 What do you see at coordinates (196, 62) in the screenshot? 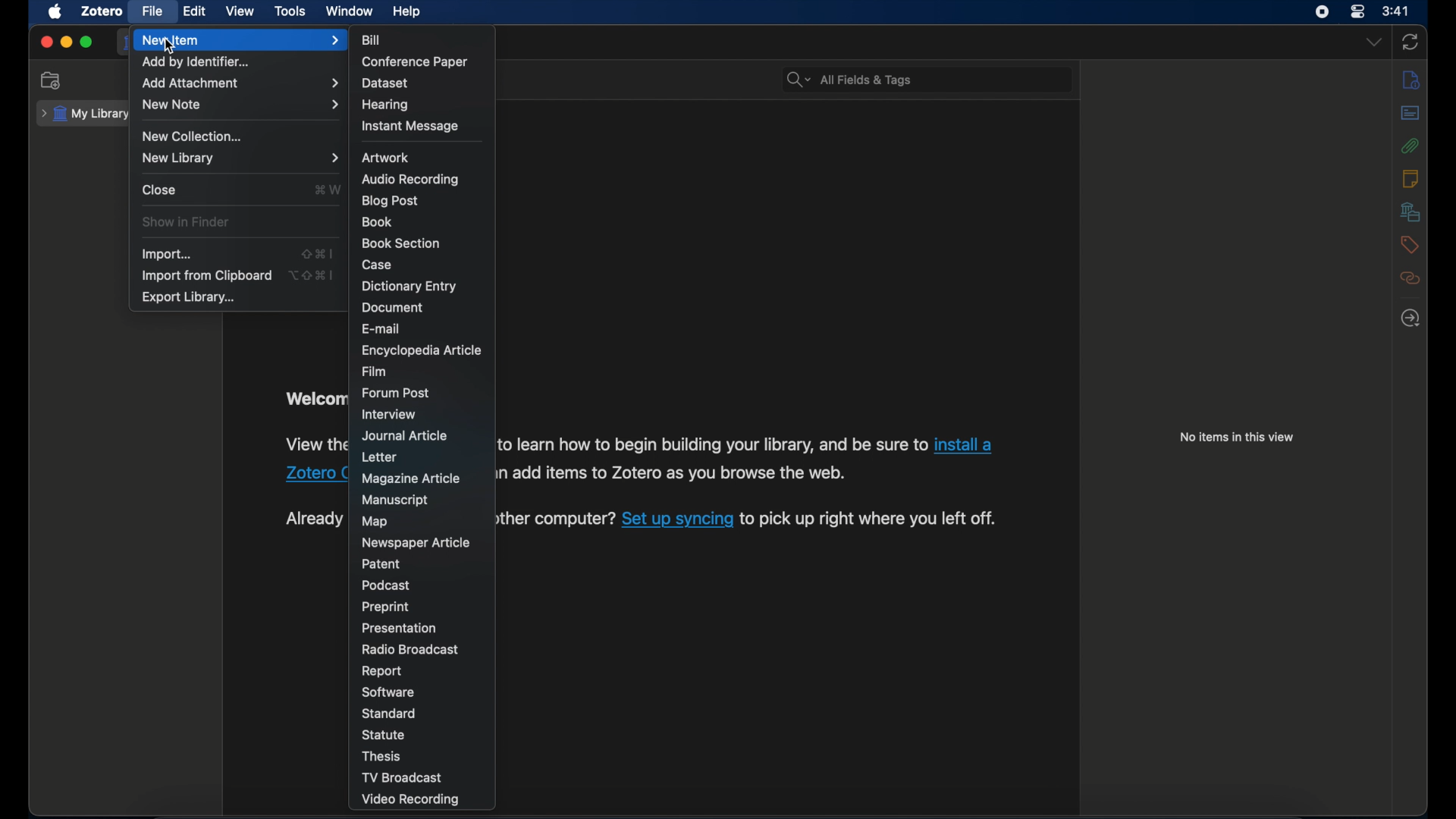
I see `add by identifier` at bounding box center [196, 62].